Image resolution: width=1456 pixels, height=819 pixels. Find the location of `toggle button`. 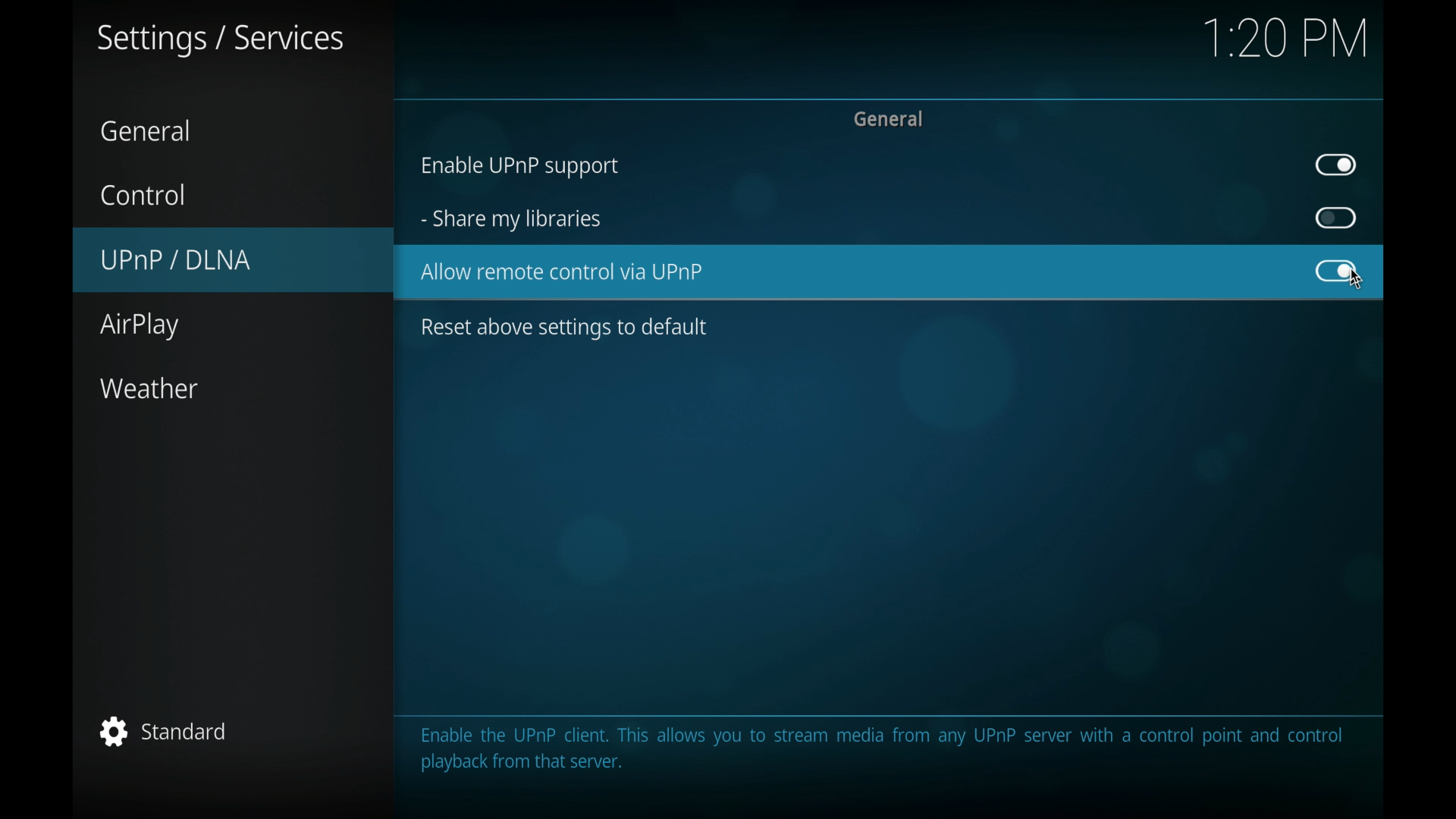

toggle button is located at coordinates (1336, 165).